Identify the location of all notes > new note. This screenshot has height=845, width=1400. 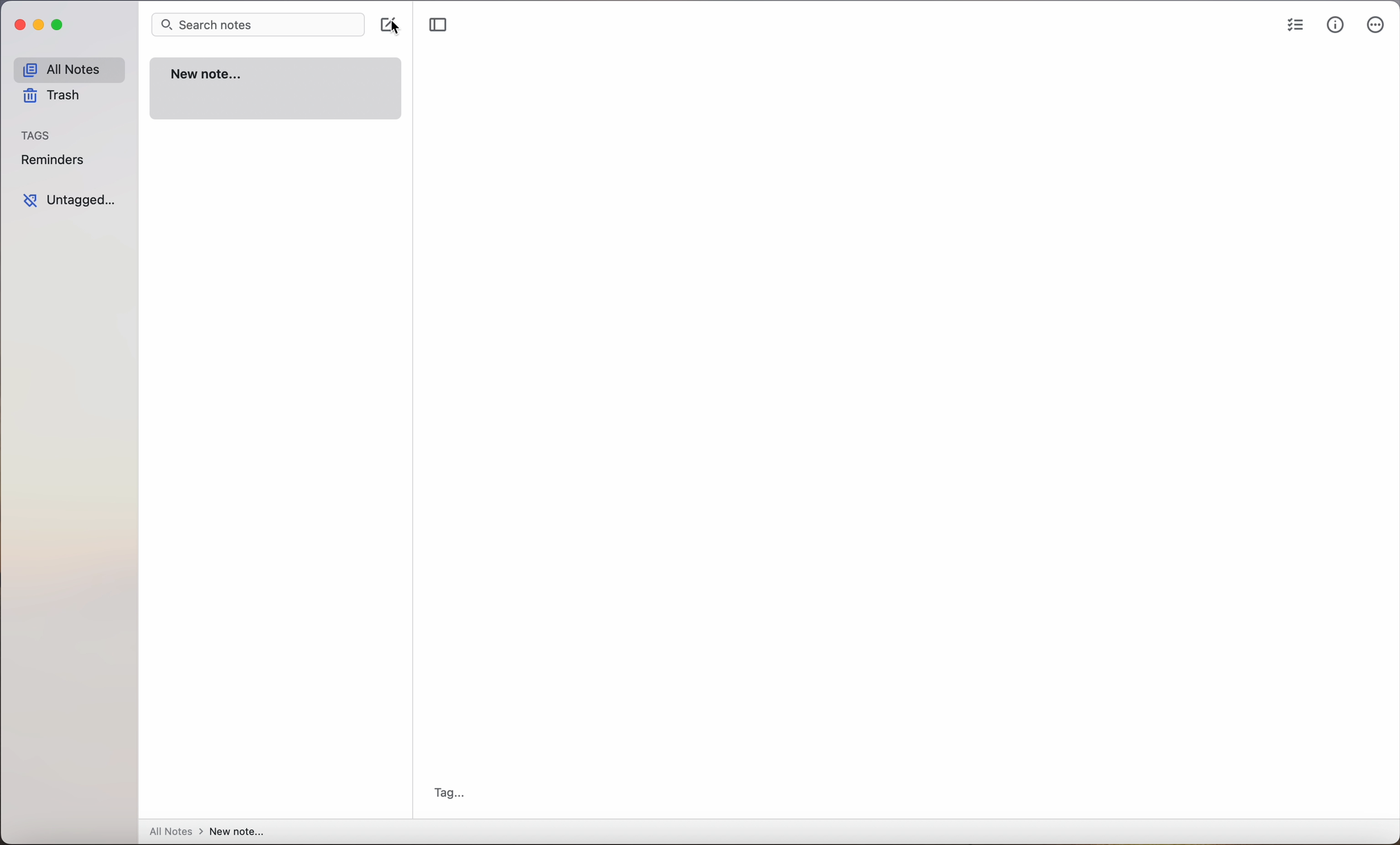
(208, 831).